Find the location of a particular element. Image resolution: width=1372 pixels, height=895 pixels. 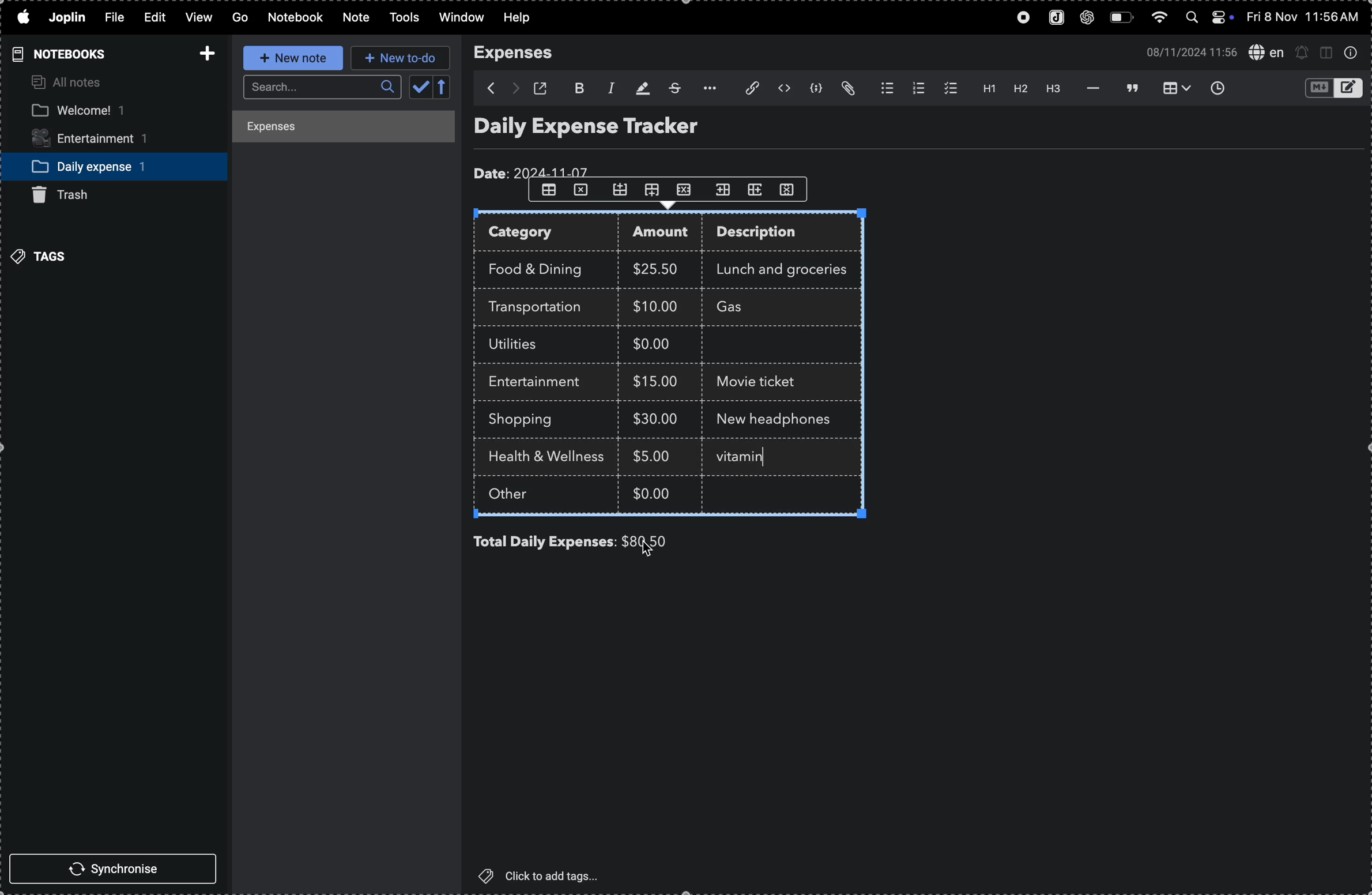

spell check is located at coordinates (1265, 51).